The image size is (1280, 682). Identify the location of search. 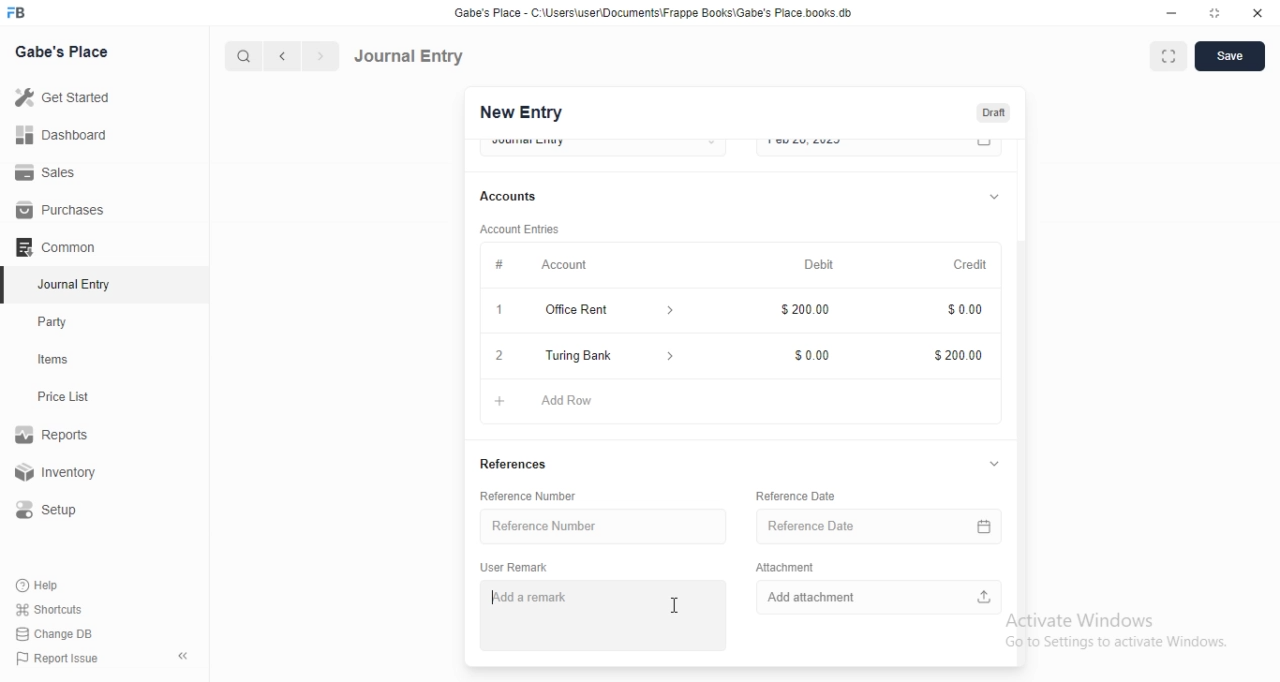
(241, 56).